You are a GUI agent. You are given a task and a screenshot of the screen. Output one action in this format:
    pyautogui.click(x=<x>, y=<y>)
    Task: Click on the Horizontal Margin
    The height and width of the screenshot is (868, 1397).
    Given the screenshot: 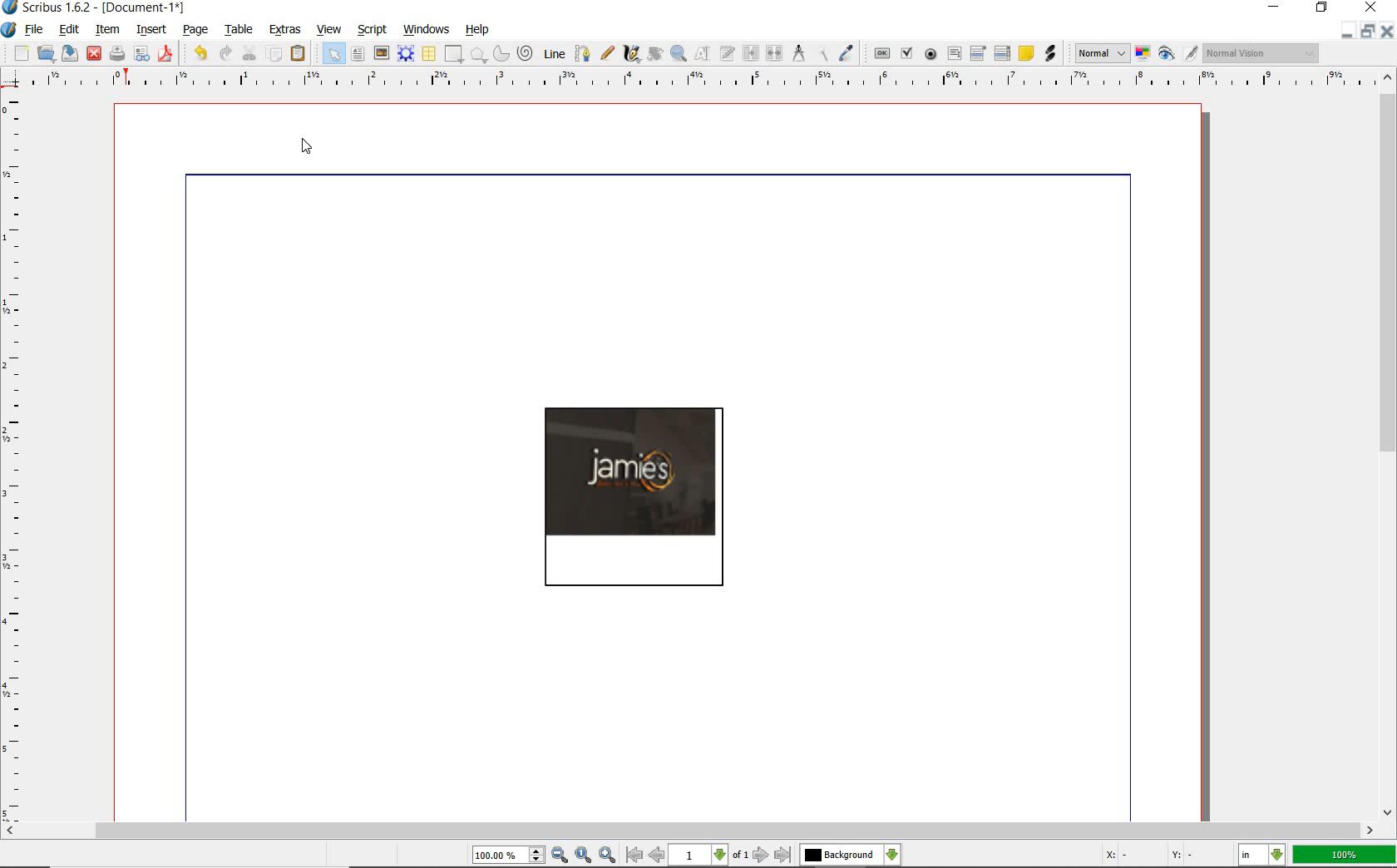 What is the action you would take?
    pyautogui.click(x=700, y=80)
    